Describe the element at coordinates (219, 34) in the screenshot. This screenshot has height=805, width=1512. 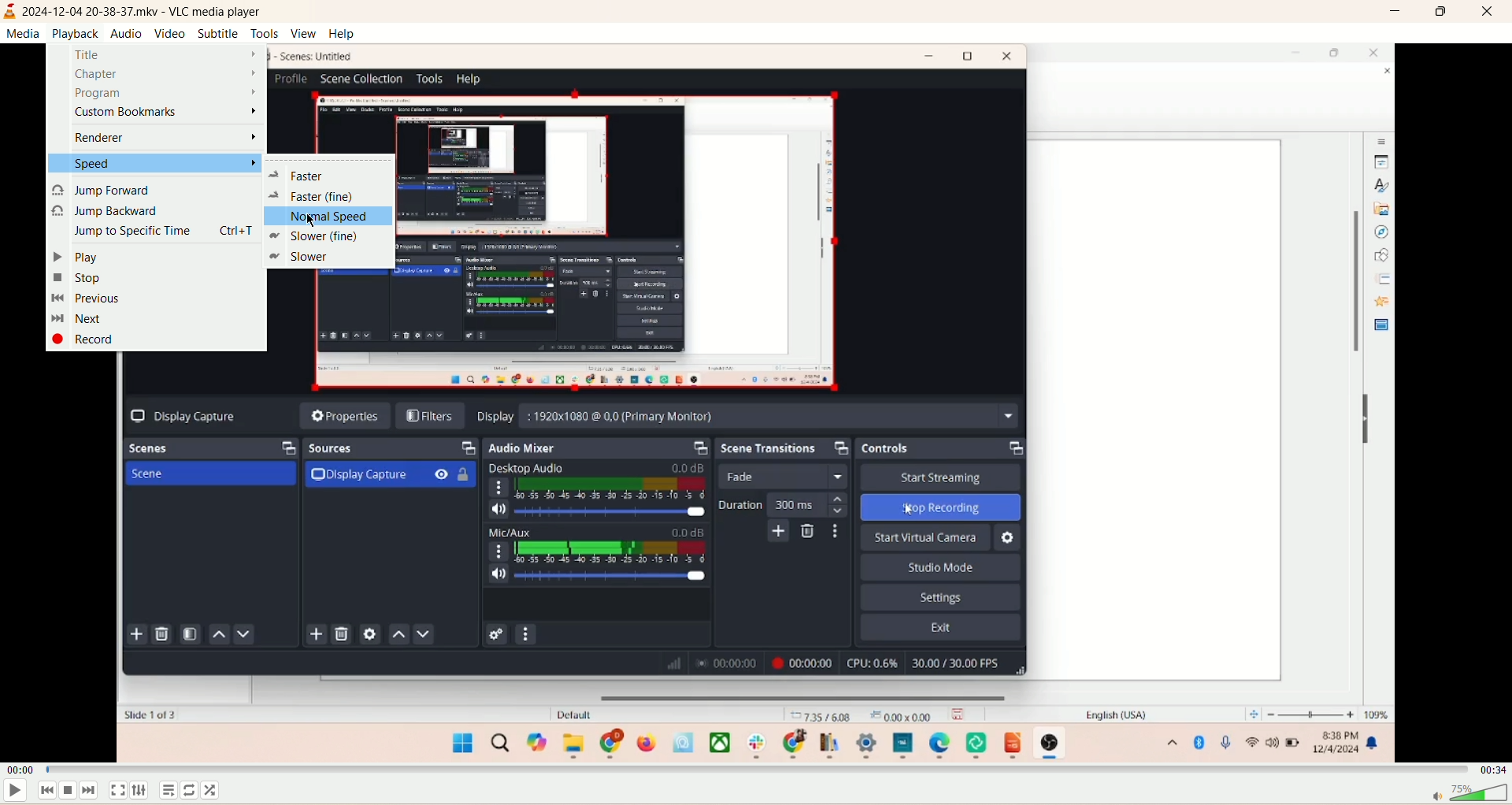
I see `subtitle` at that location.